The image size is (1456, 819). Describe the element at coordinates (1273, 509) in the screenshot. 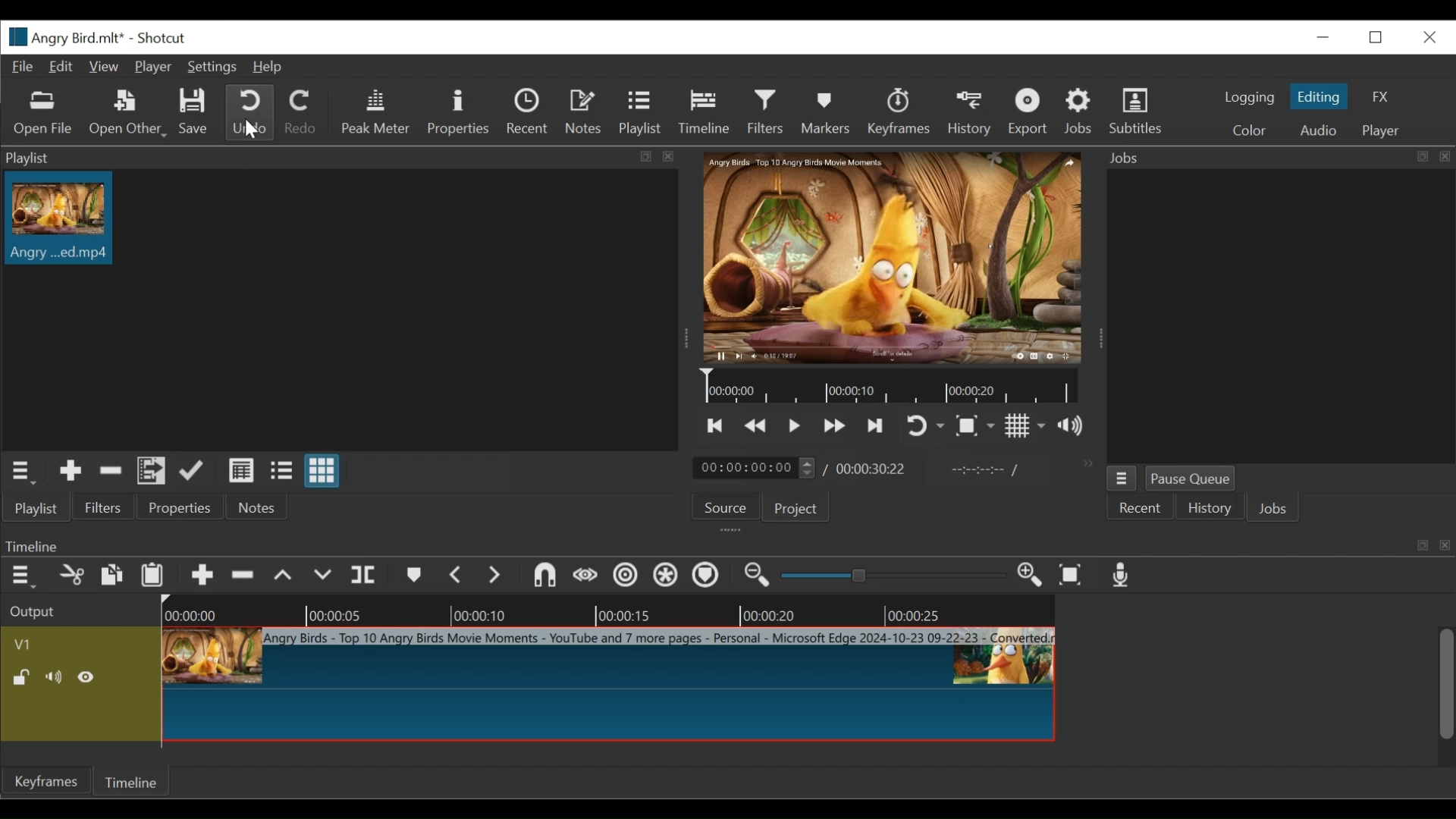

I see `Jobs` at that location.